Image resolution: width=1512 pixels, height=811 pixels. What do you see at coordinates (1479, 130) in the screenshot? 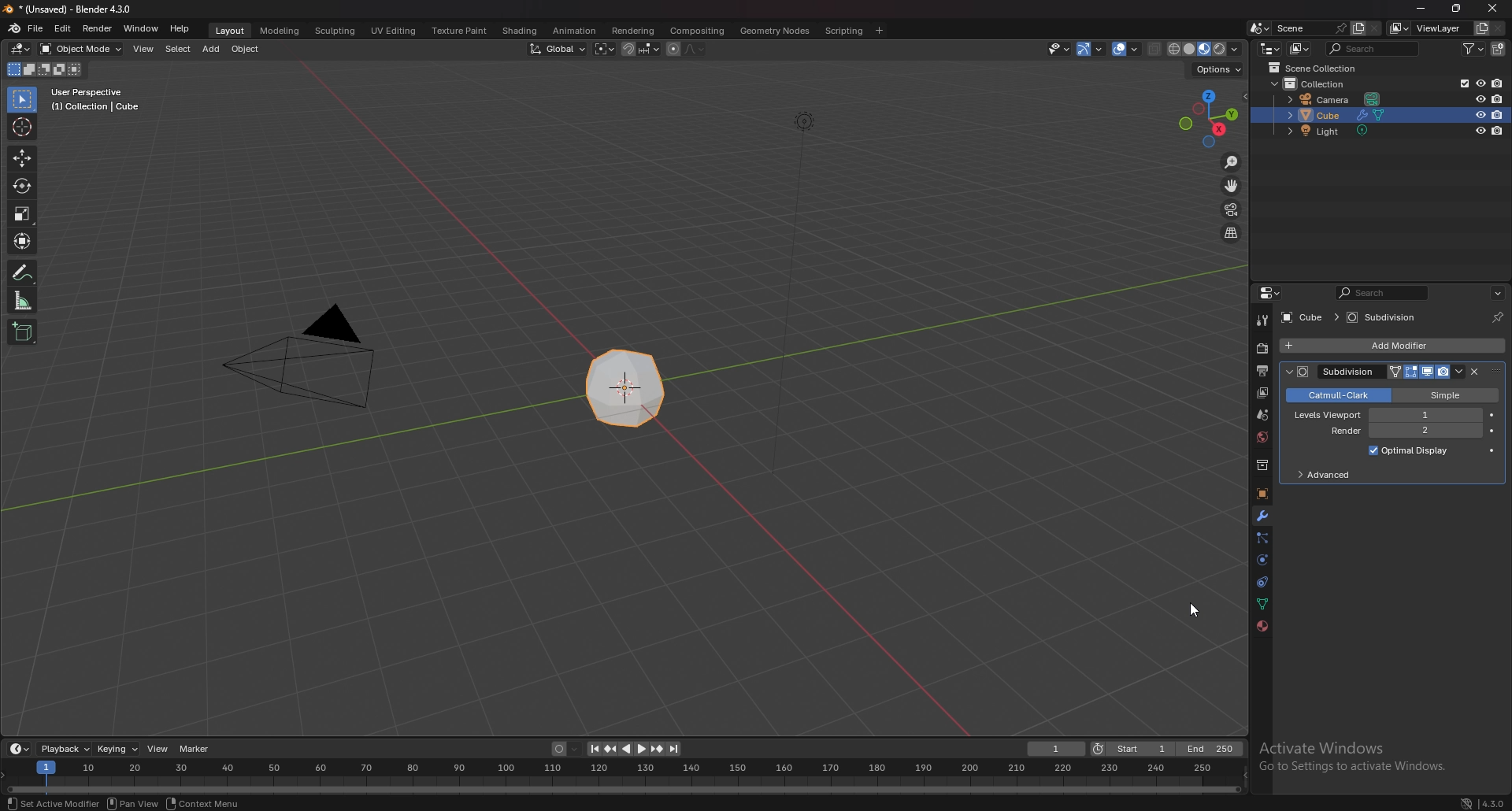
I see `hide in viewport` at bounding box center [1479, 130].